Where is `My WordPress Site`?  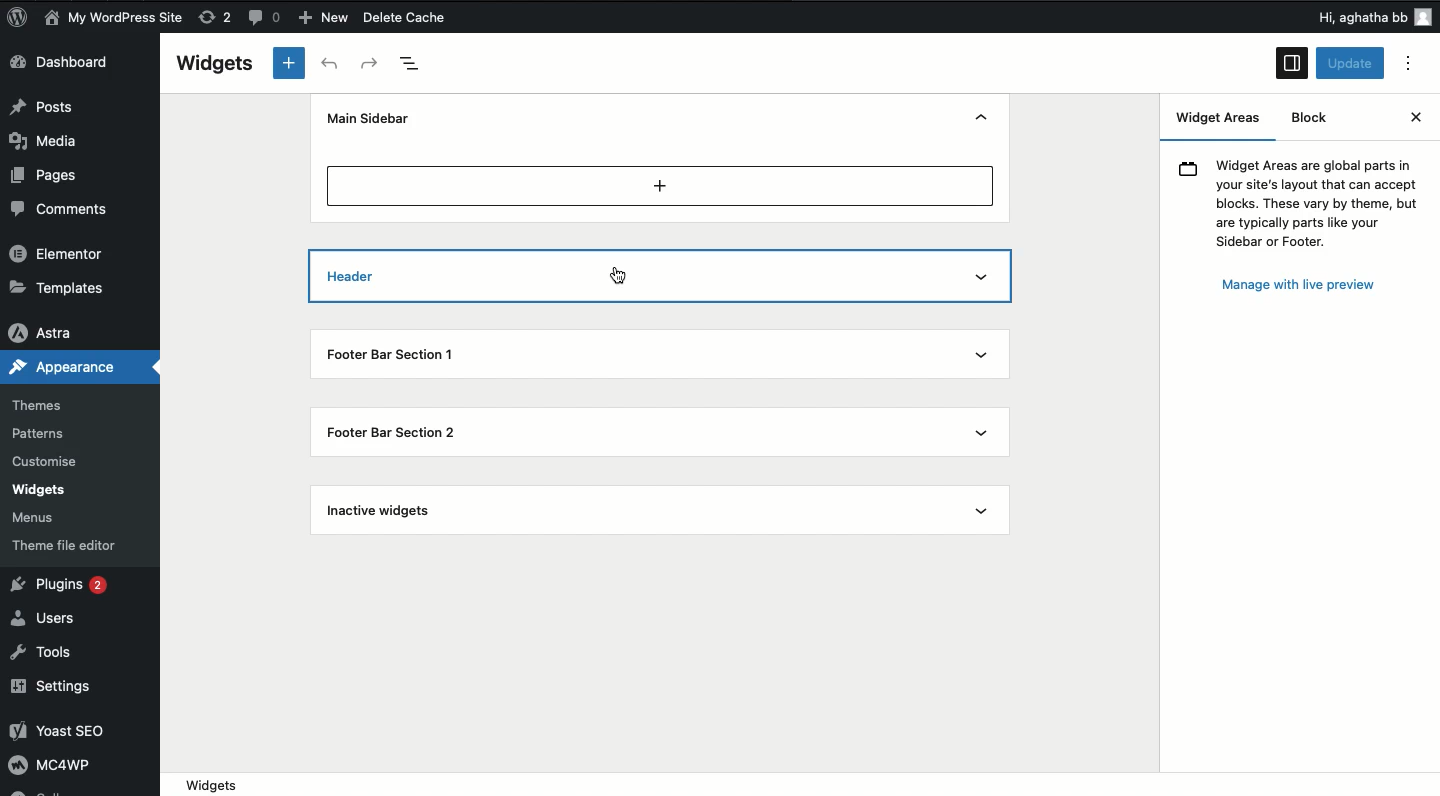 My WordPress Site is located at coordinates (113, 18).